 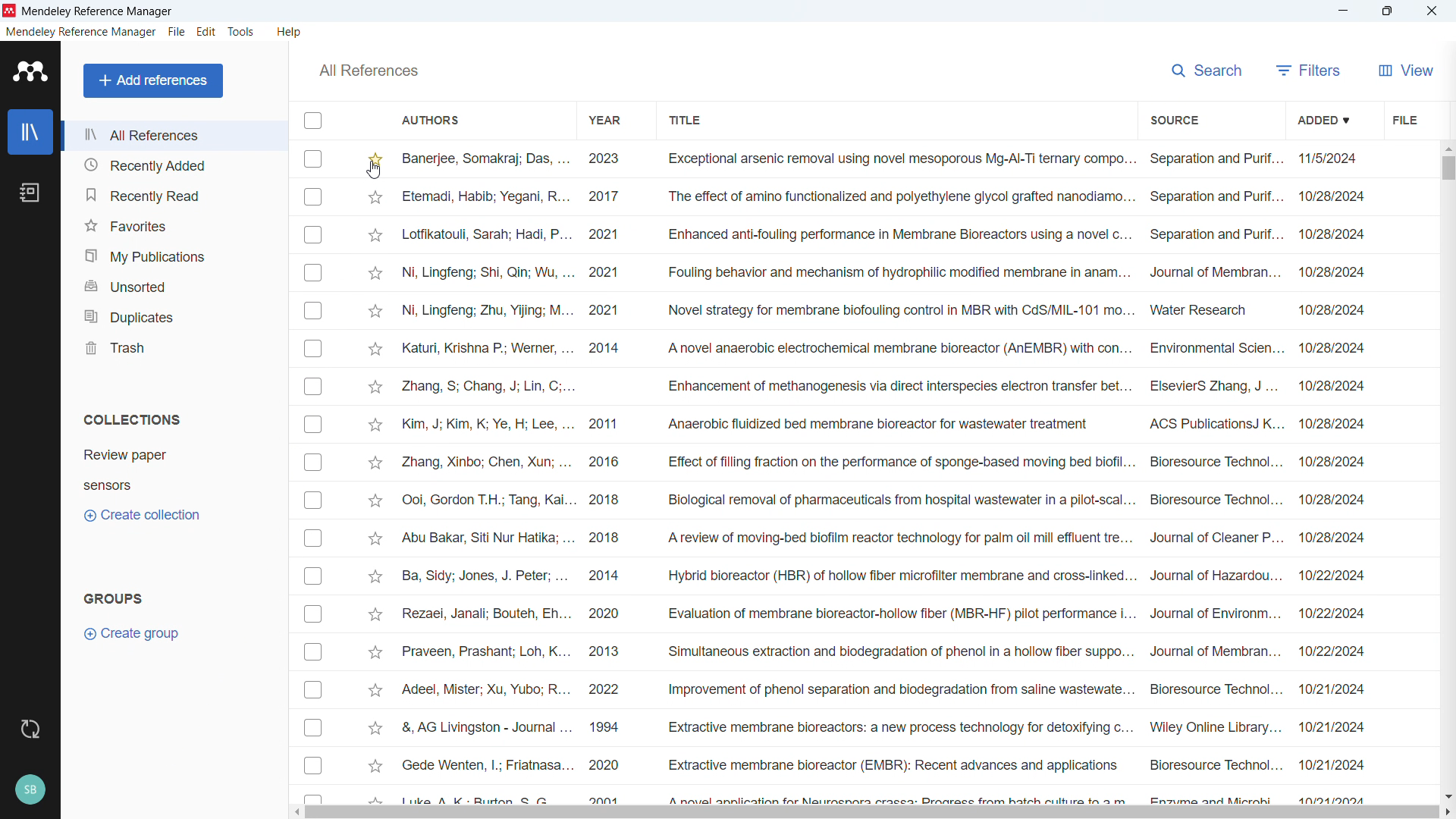 I want to click on logo , so click(x=30, y=71).